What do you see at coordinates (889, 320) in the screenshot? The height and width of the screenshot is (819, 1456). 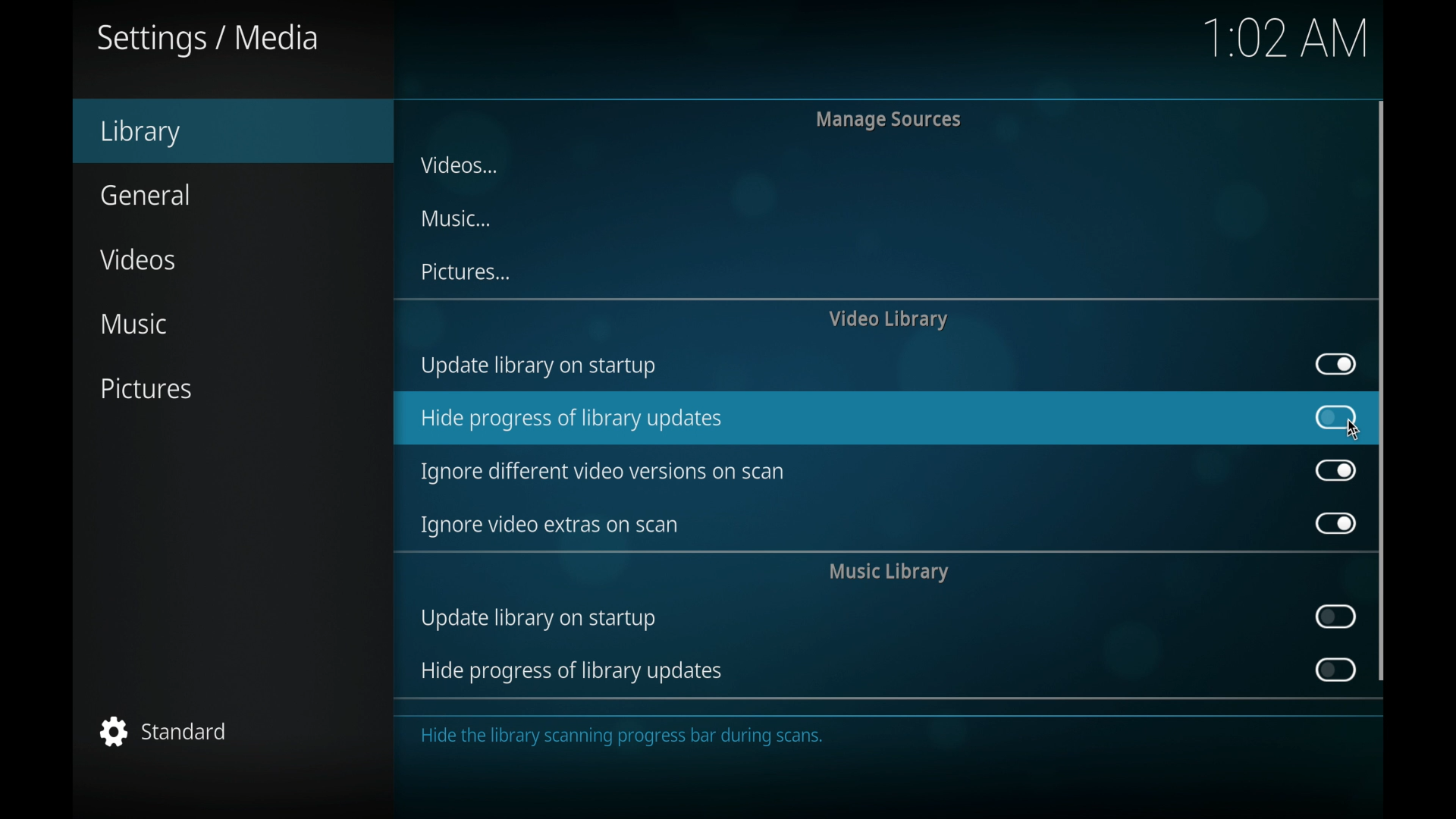 I see `video library` at bounding box center [889, 320].